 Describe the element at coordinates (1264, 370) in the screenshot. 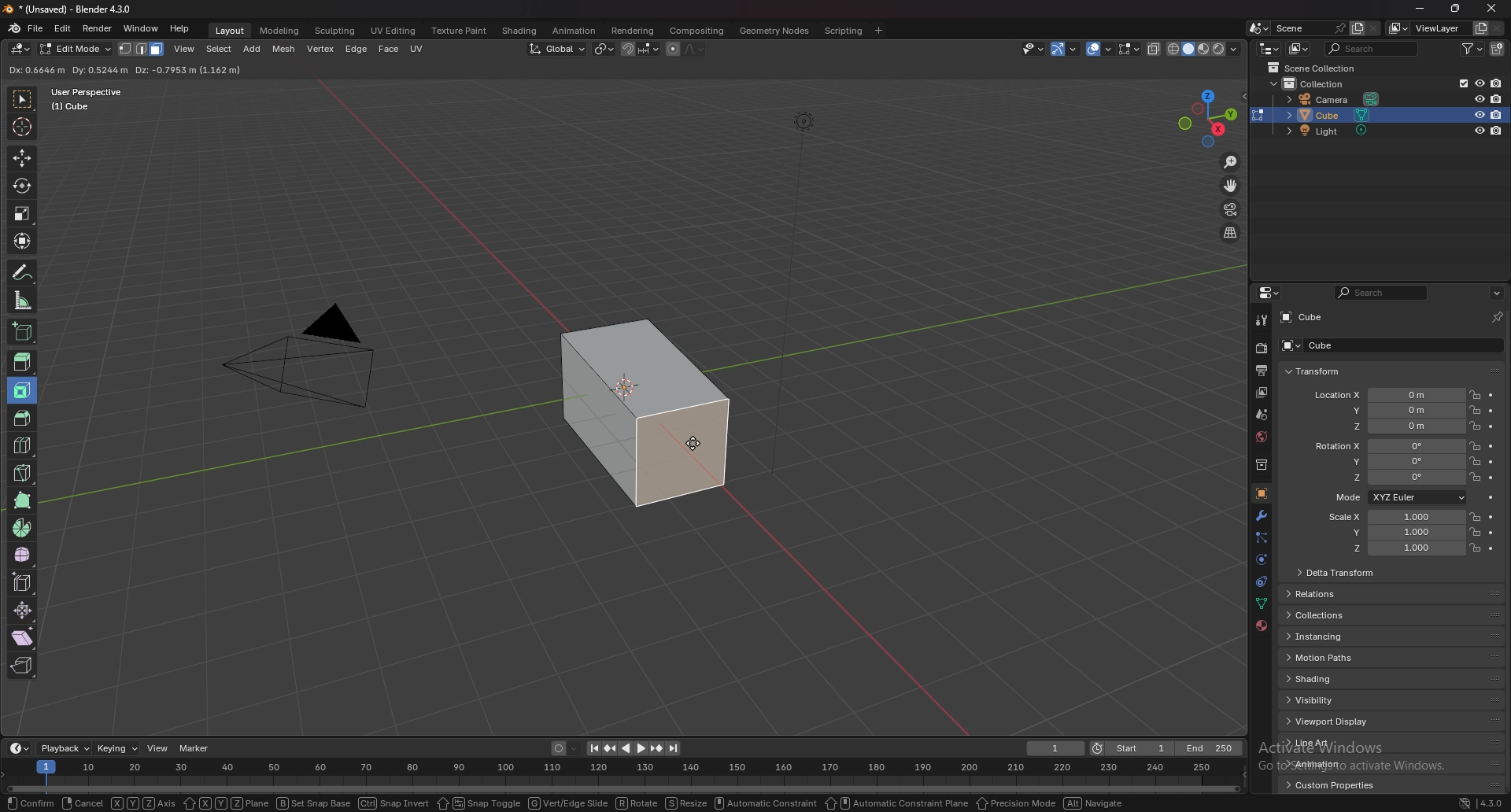

I see `output` at that location.